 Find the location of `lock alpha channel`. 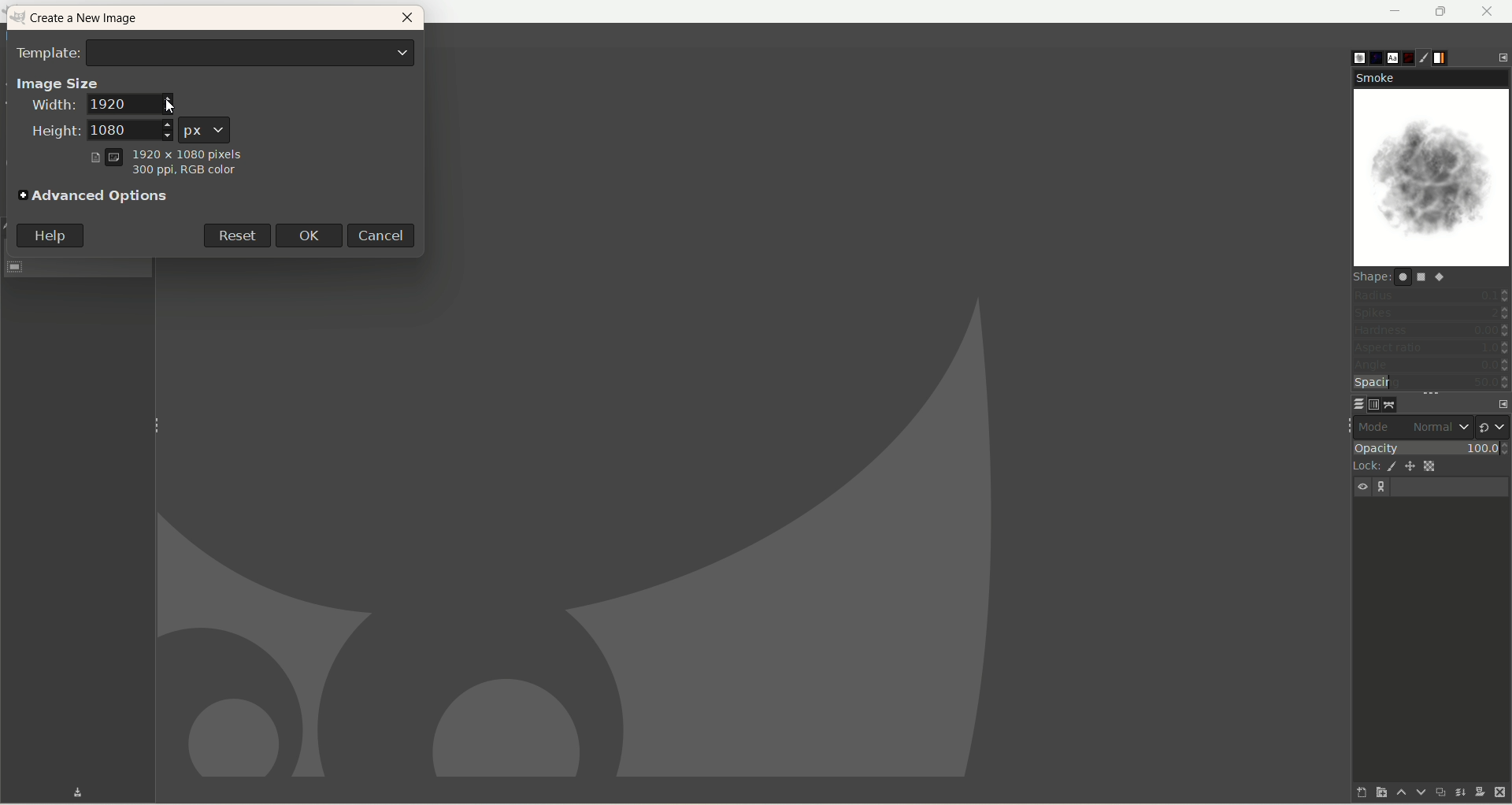

lock alpha channel is located at coordinates (1436, 466).